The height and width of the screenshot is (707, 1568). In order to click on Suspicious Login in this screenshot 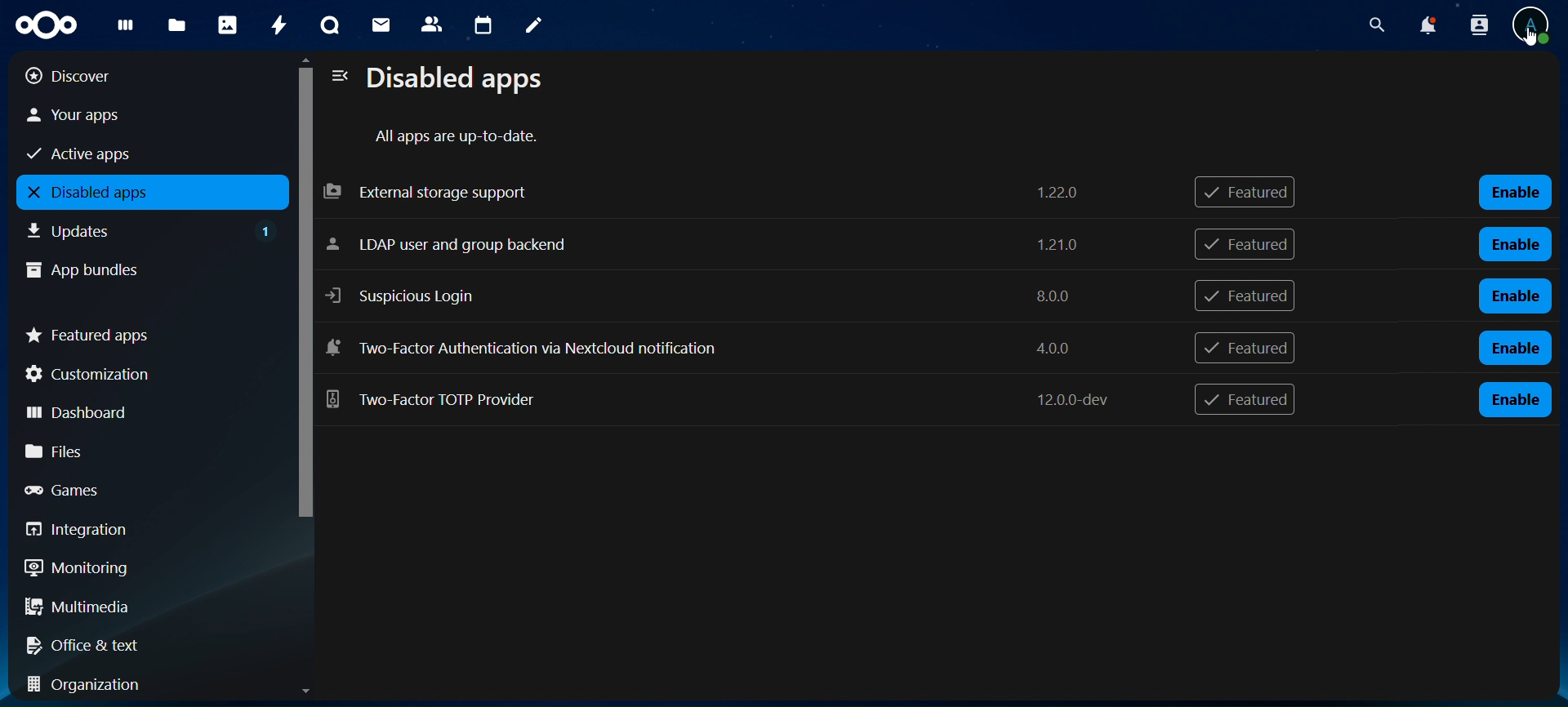, I will do `click(706, 296)`.